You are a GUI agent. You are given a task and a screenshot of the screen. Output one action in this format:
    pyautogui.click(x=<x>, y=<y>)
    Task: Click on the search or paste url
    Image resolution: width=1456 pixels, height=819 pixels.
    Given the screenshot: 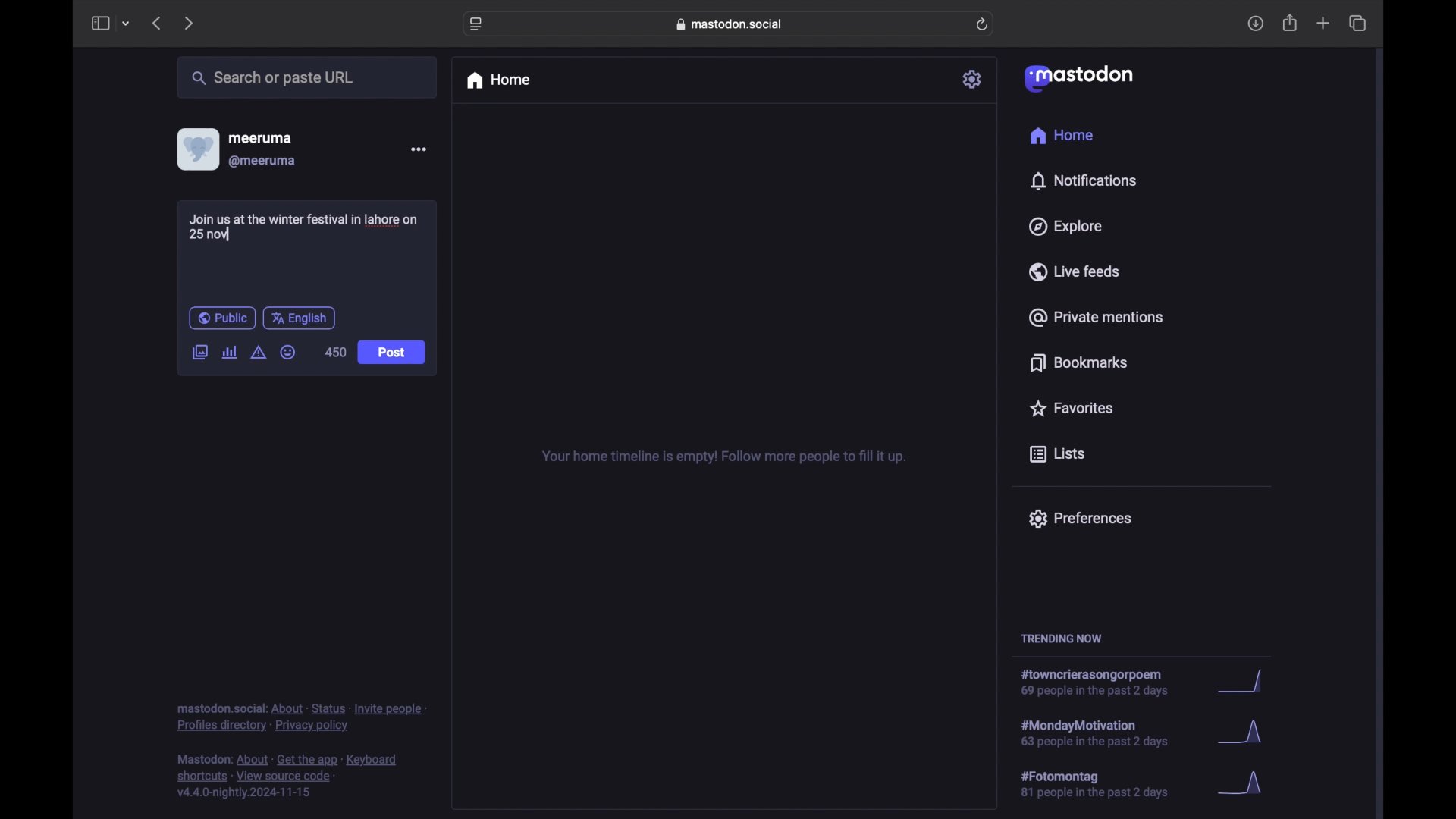 What is the action you would take?
    pyautogui.click(x=272, y=78)
    